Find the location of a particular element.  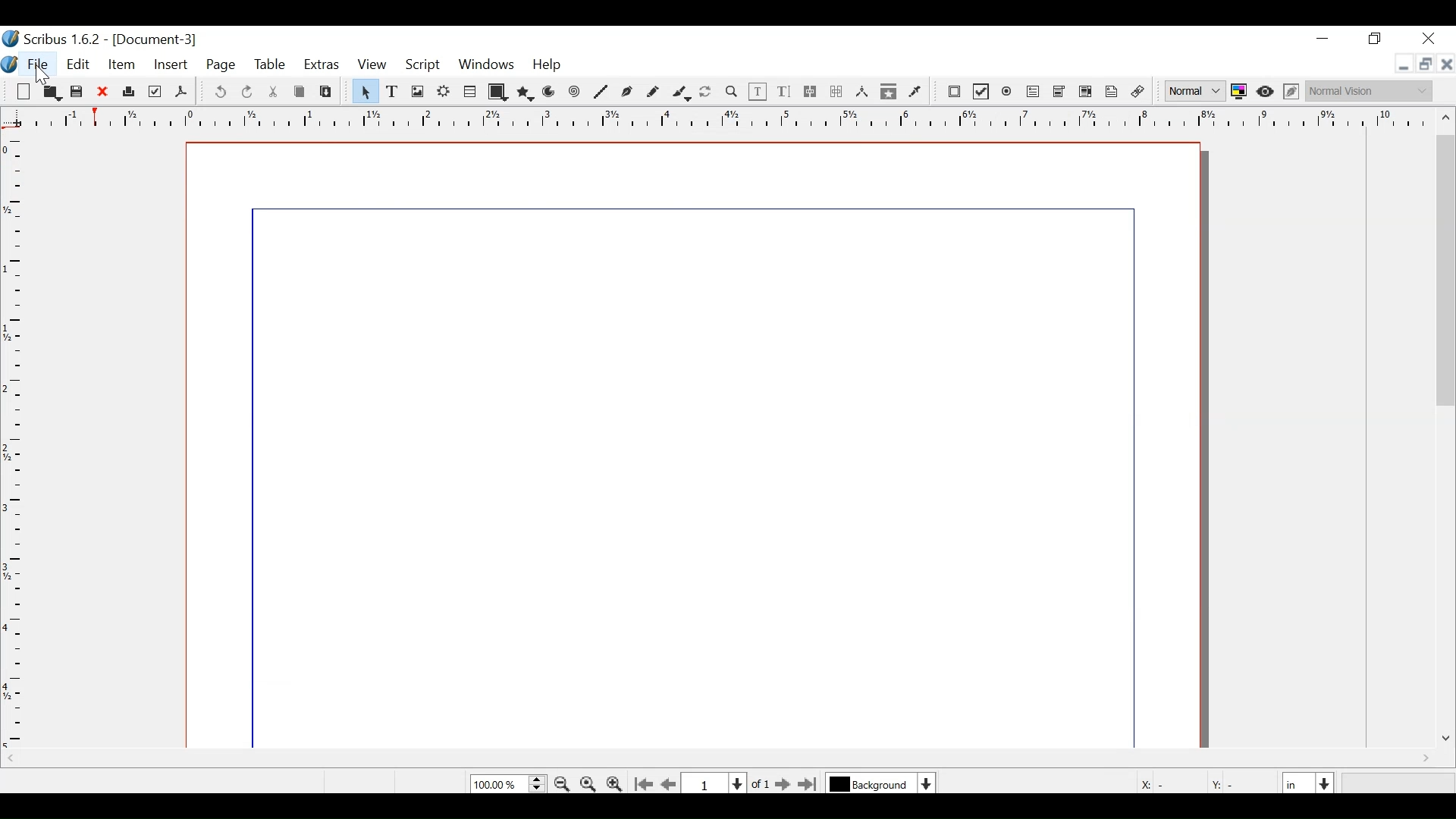

Polygon is located at coordinates (524, 93).